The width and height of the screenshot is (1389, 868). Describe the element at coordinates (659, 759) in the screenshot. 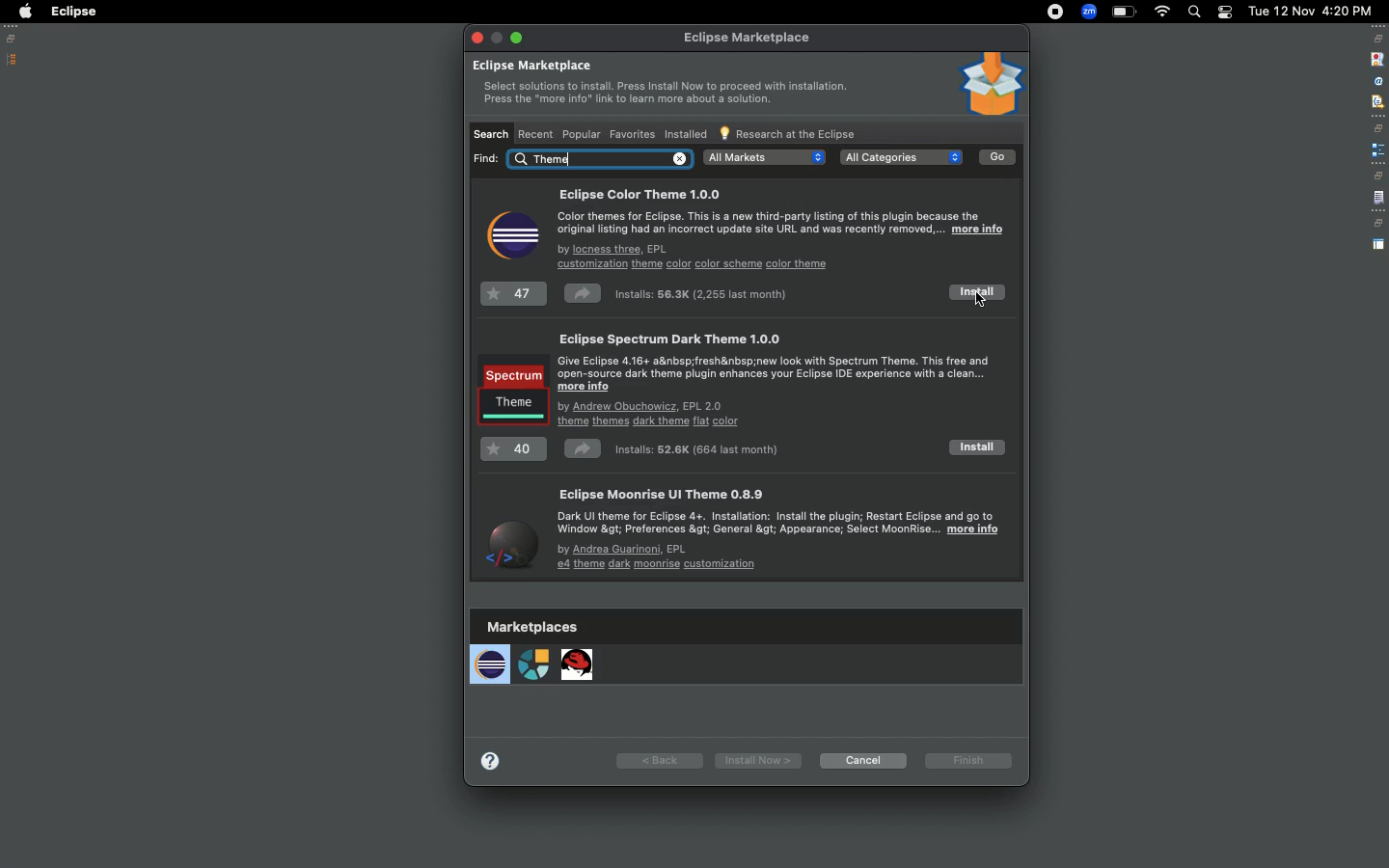

I see `Back` at that location.